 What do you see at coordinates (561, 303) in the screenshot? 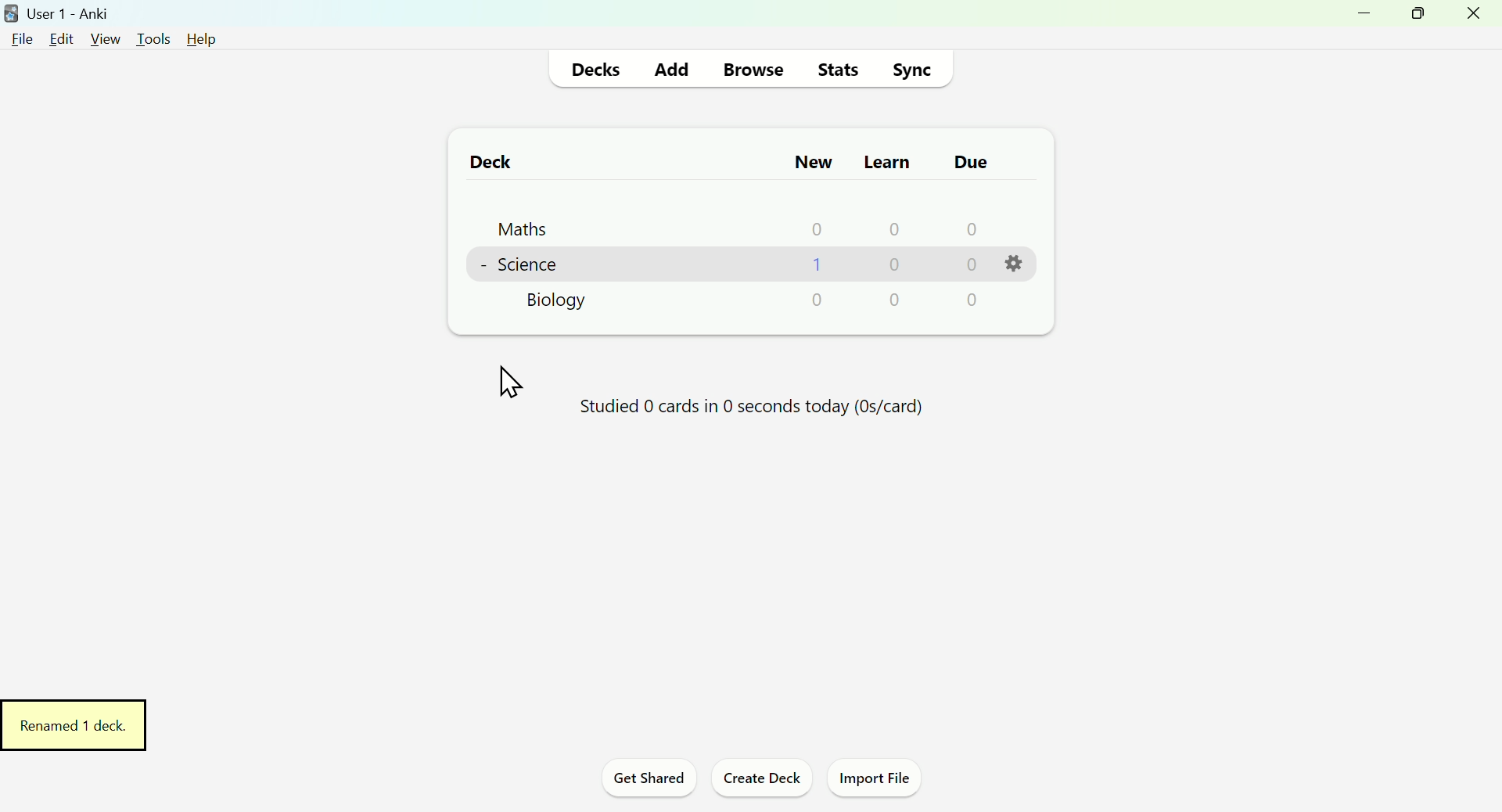
I see `Biology` at bounding box center [561, 303].